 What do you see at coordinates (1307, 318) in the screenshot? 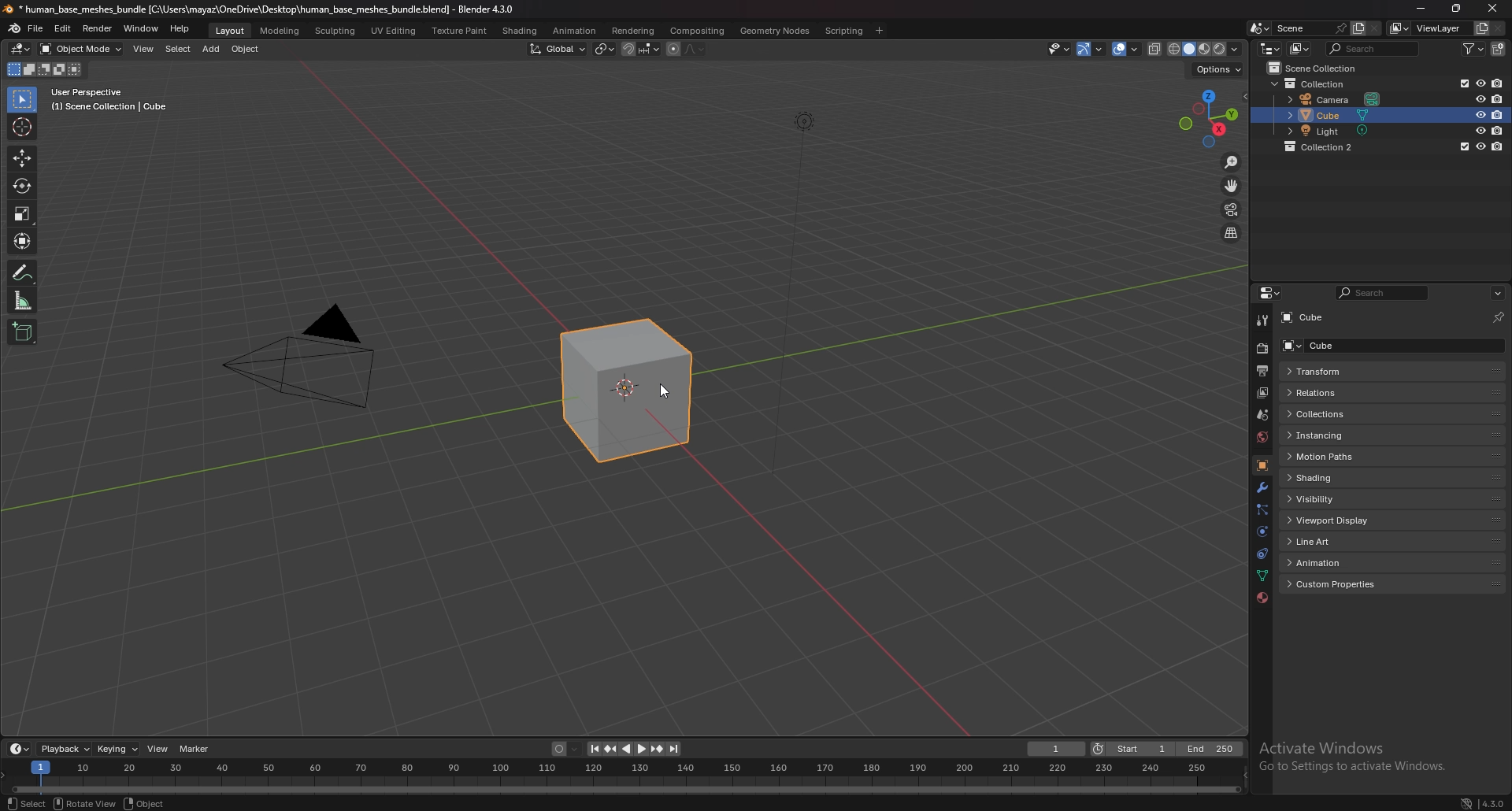
I see `cube` at bounding box center [1307, 318].